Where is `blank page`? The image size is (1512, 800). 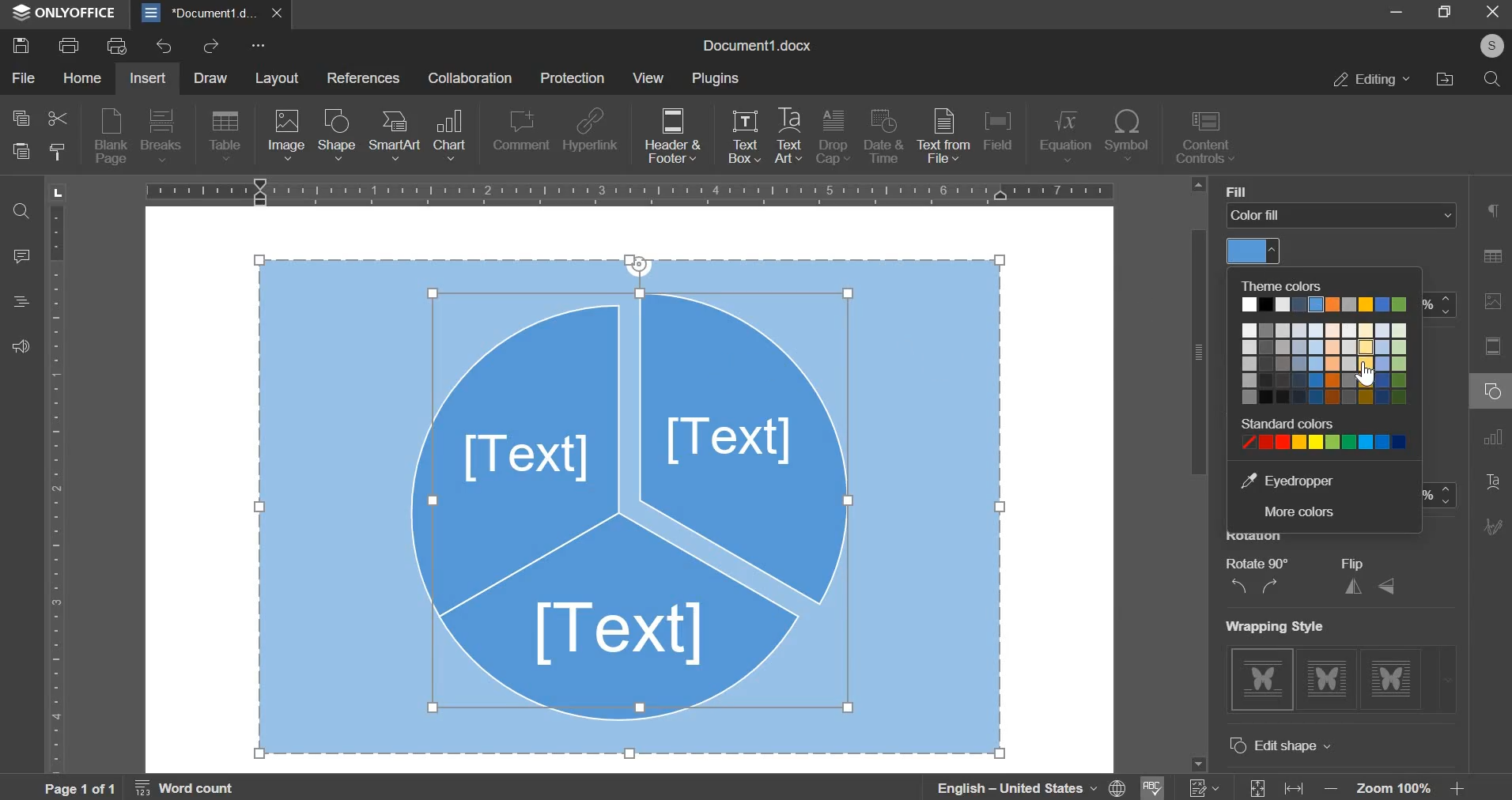
blank page is located at coordinates (112, 135).